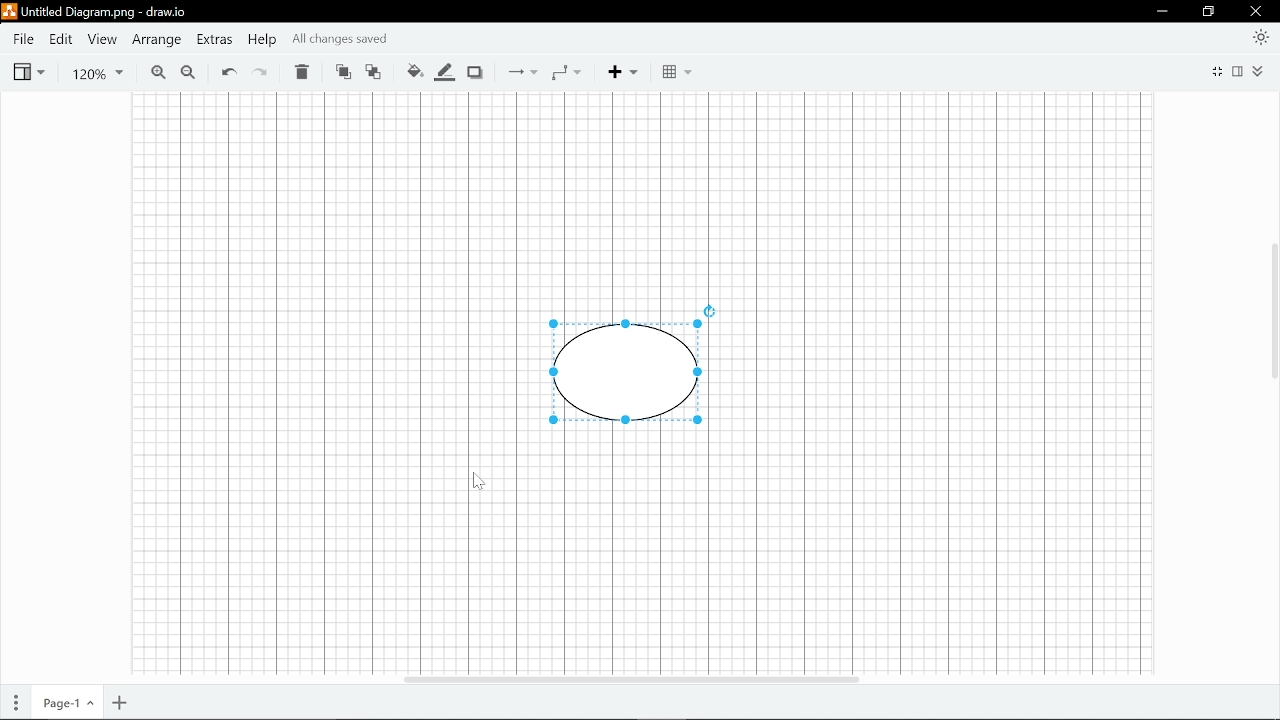  I want to click on connections, so click(517, 73).